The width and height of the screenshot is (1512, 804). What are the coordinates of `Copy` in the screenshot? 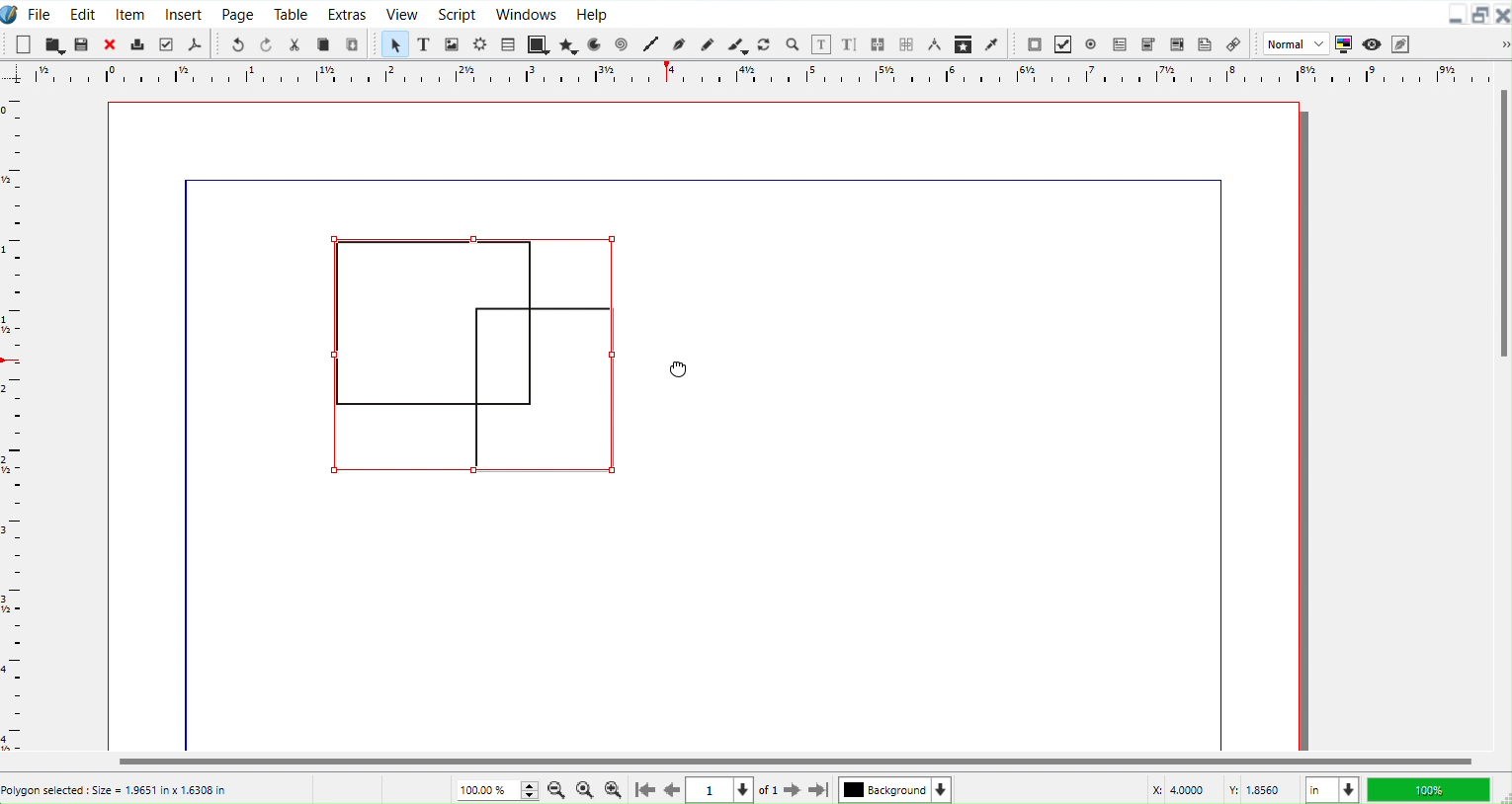 It's located at (325, 43).